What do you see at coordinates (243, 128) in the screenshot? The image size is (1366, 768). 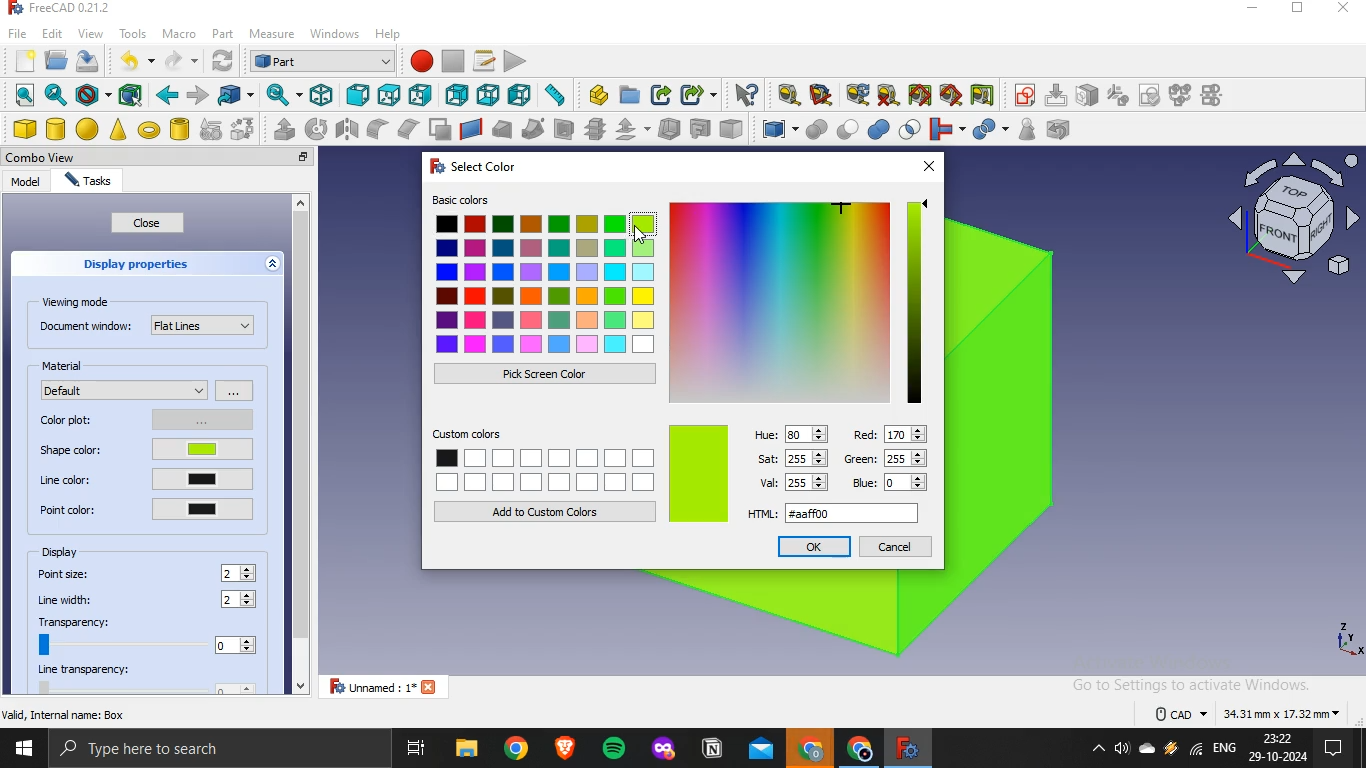 I see `shape builder` at bounding box center [243, 128].